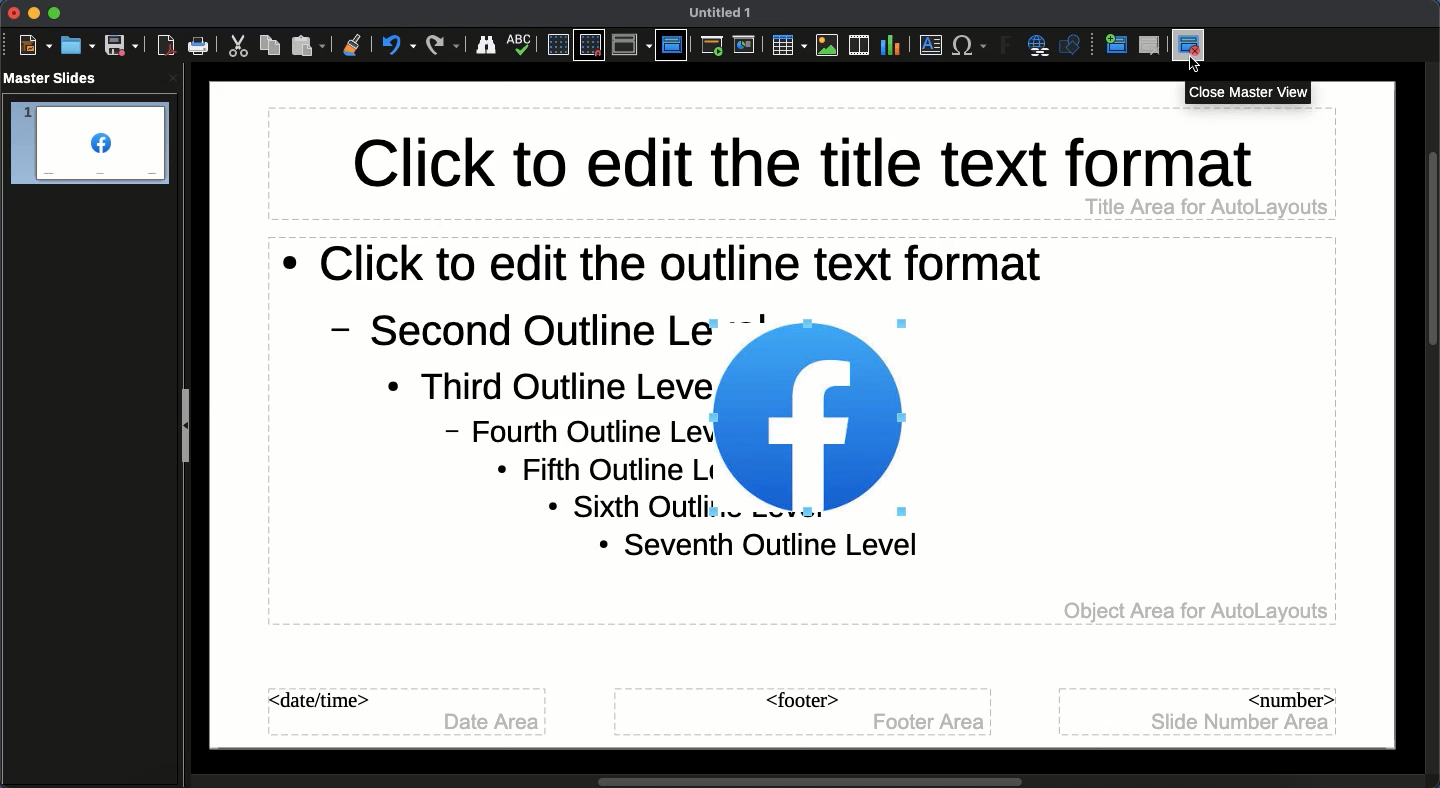  What do you see at coordinates (811, 782) in the screenshot?
I see `Scroll bar` at bounding box center [811, 782].